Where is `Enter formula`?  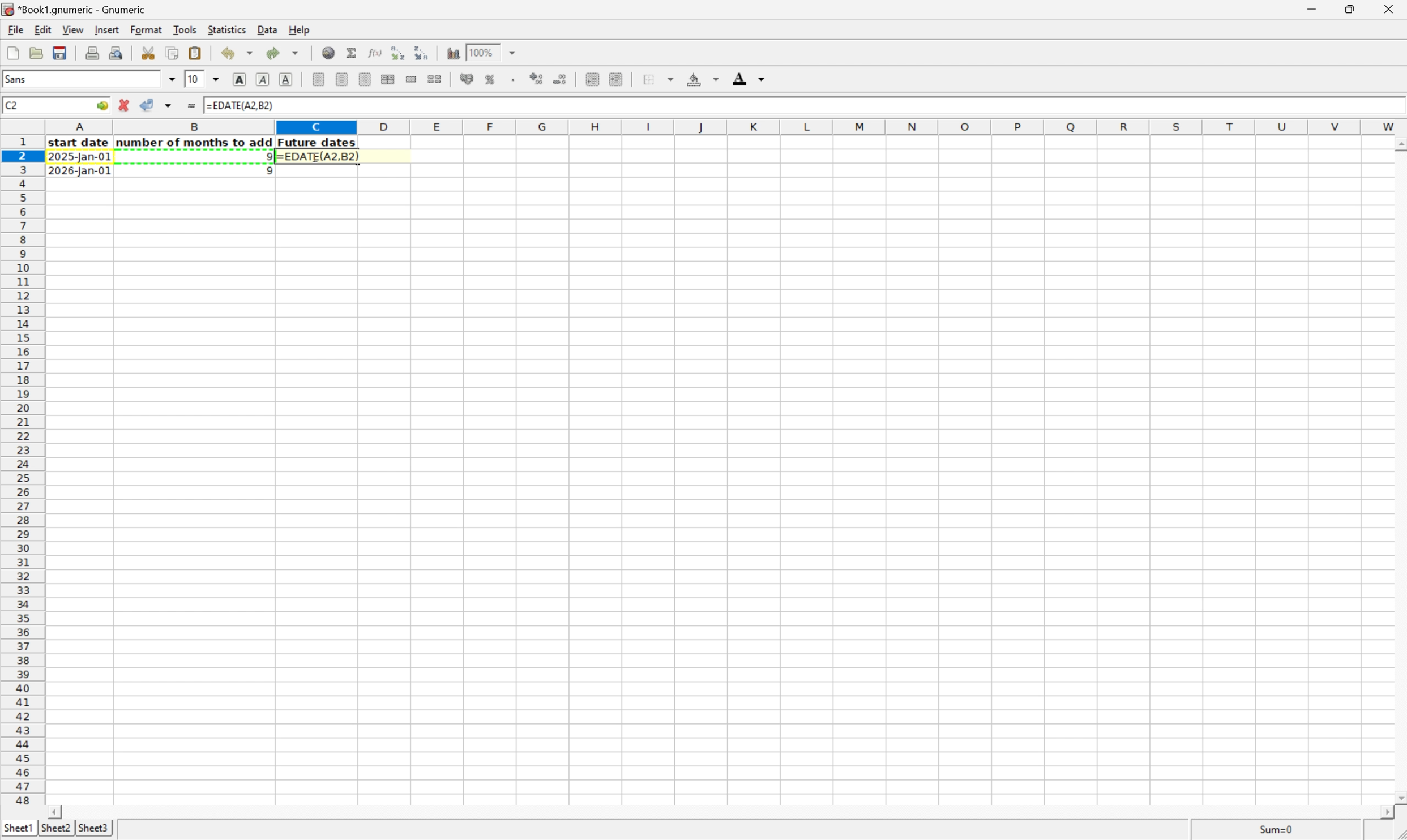
Enter formula is located at coordinates (193, 103).